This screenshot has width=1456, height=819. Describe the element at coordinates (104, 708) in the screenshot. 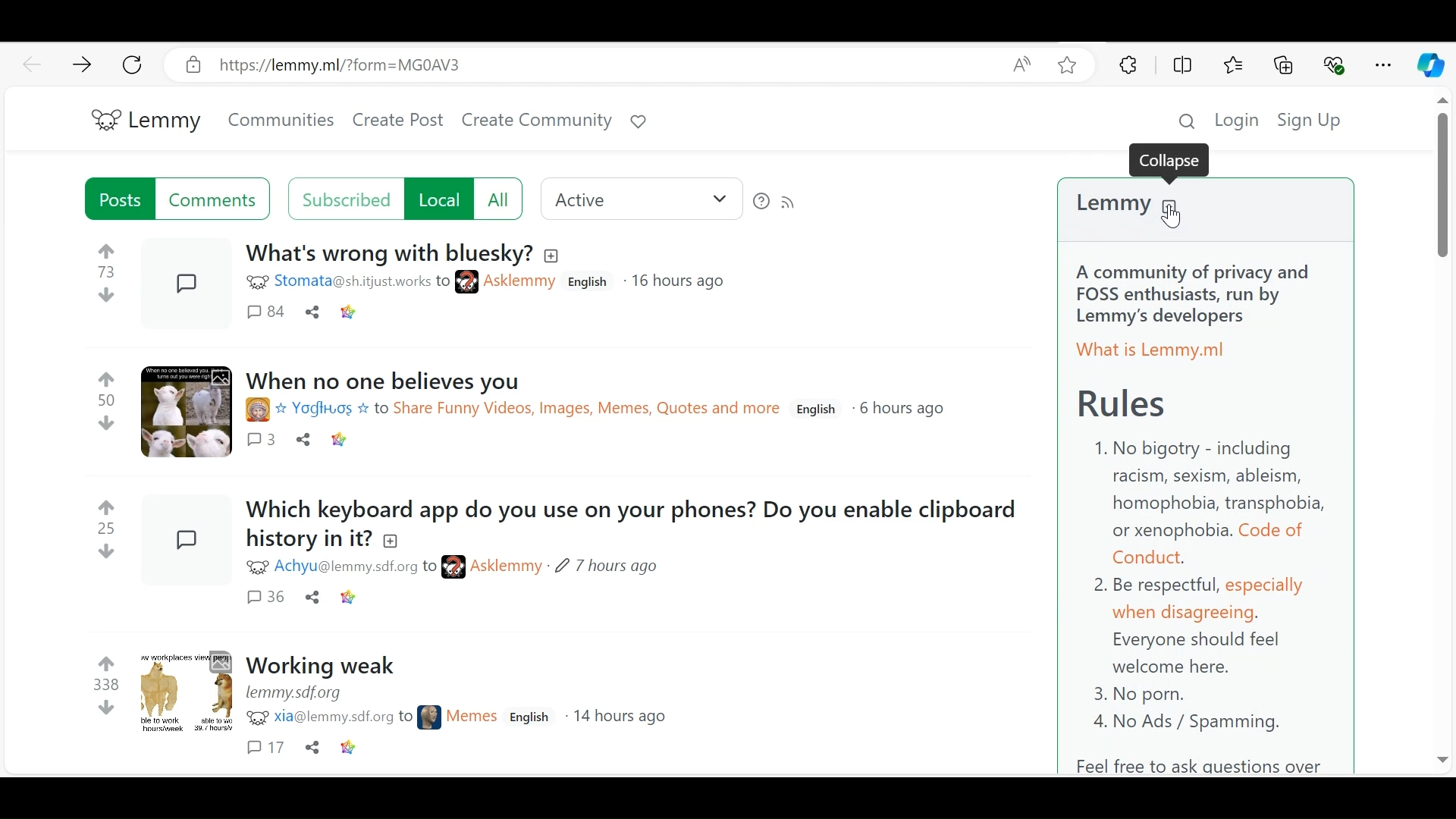

I see `downvotes` at that location.